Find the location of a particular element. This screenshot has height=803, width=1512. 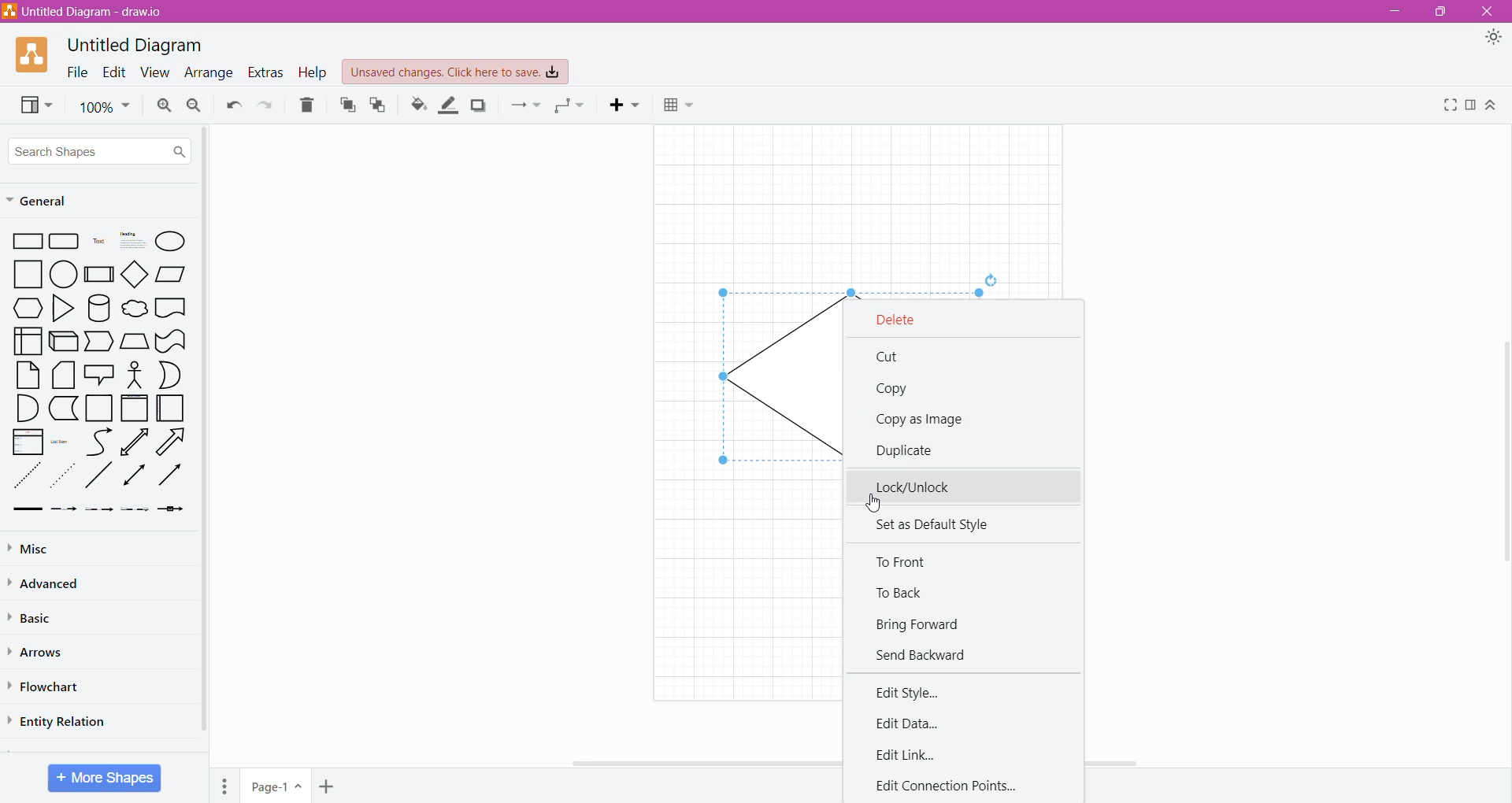

View is located at coordinates (35, 105).